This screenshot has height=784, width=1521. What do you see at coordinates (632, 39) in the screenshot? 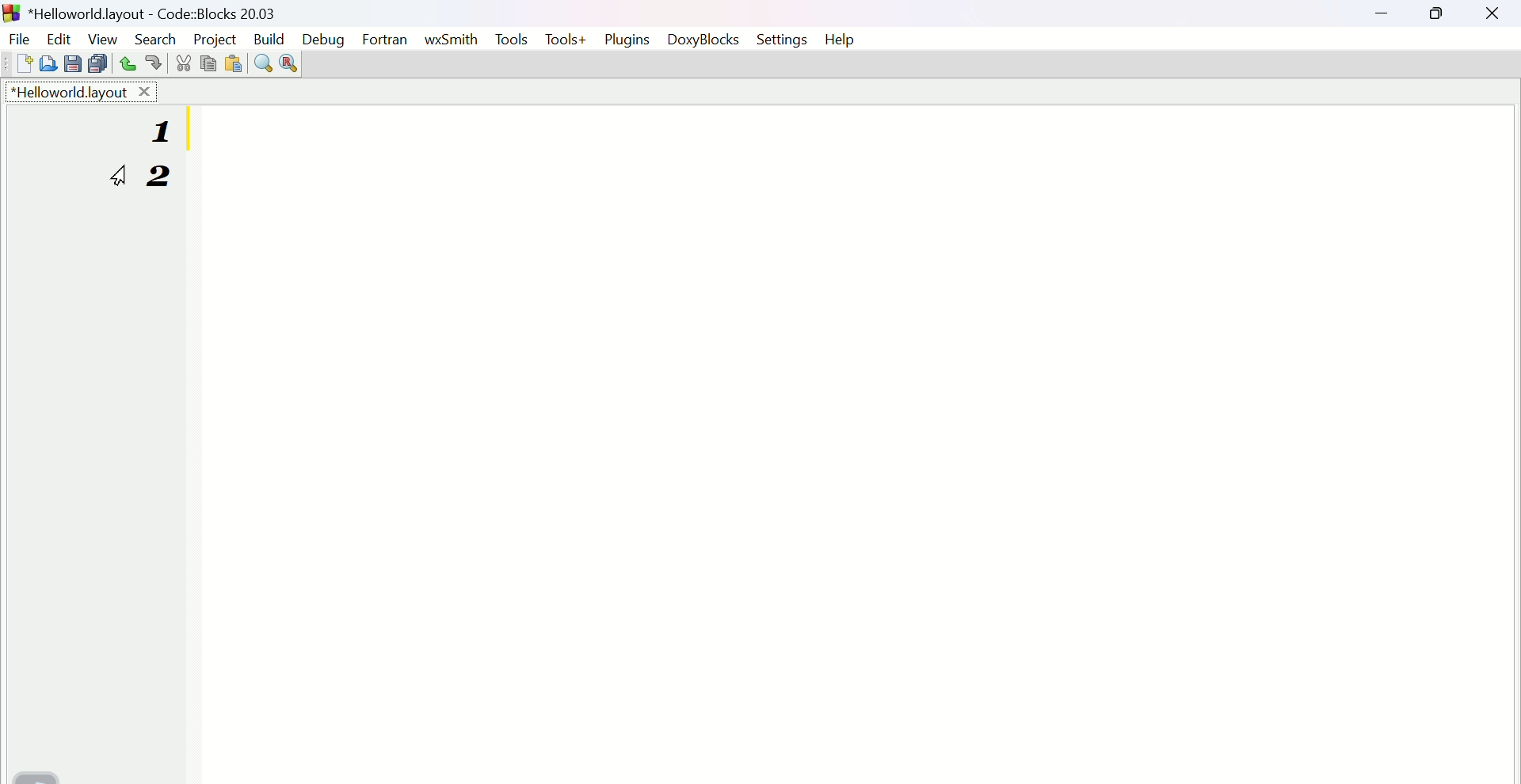
I see `Plugins` at bounding box center [632, 39].